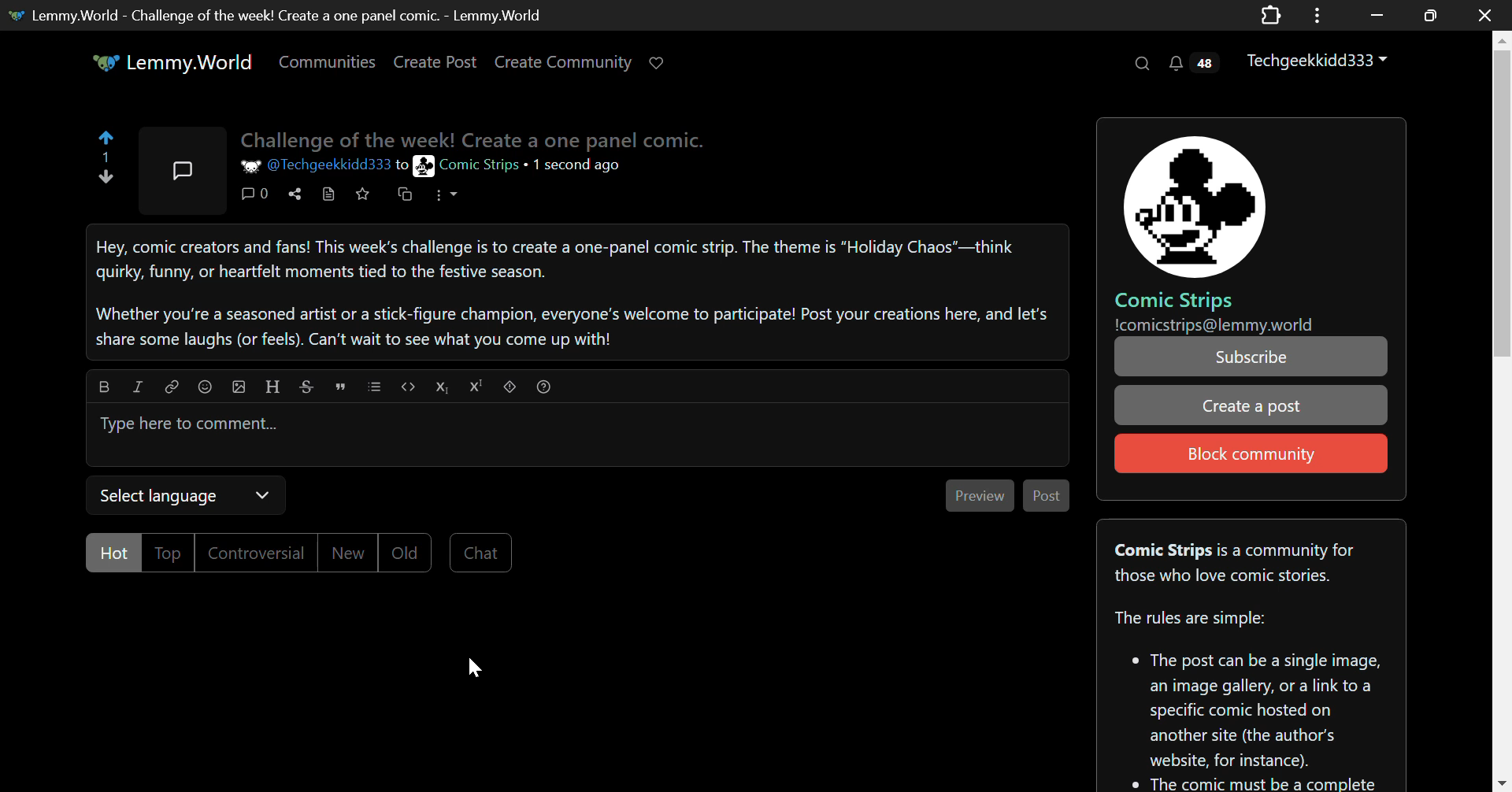  I want to click on Top, so click(171, 553).